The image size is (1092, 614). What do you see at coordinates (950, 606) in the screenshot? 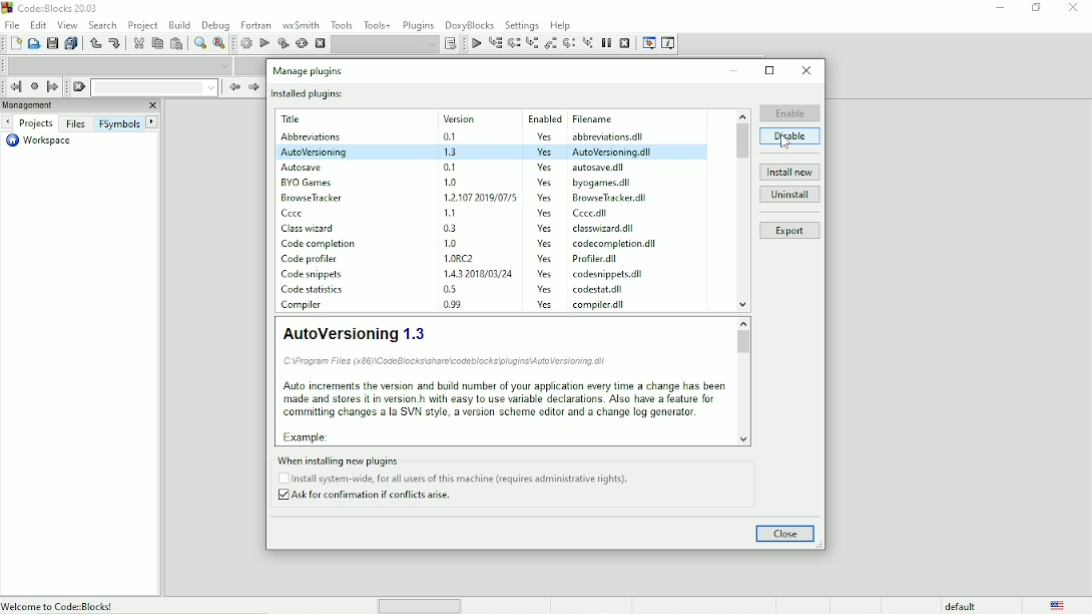
I see `Default` at bounding box center [950, 606].